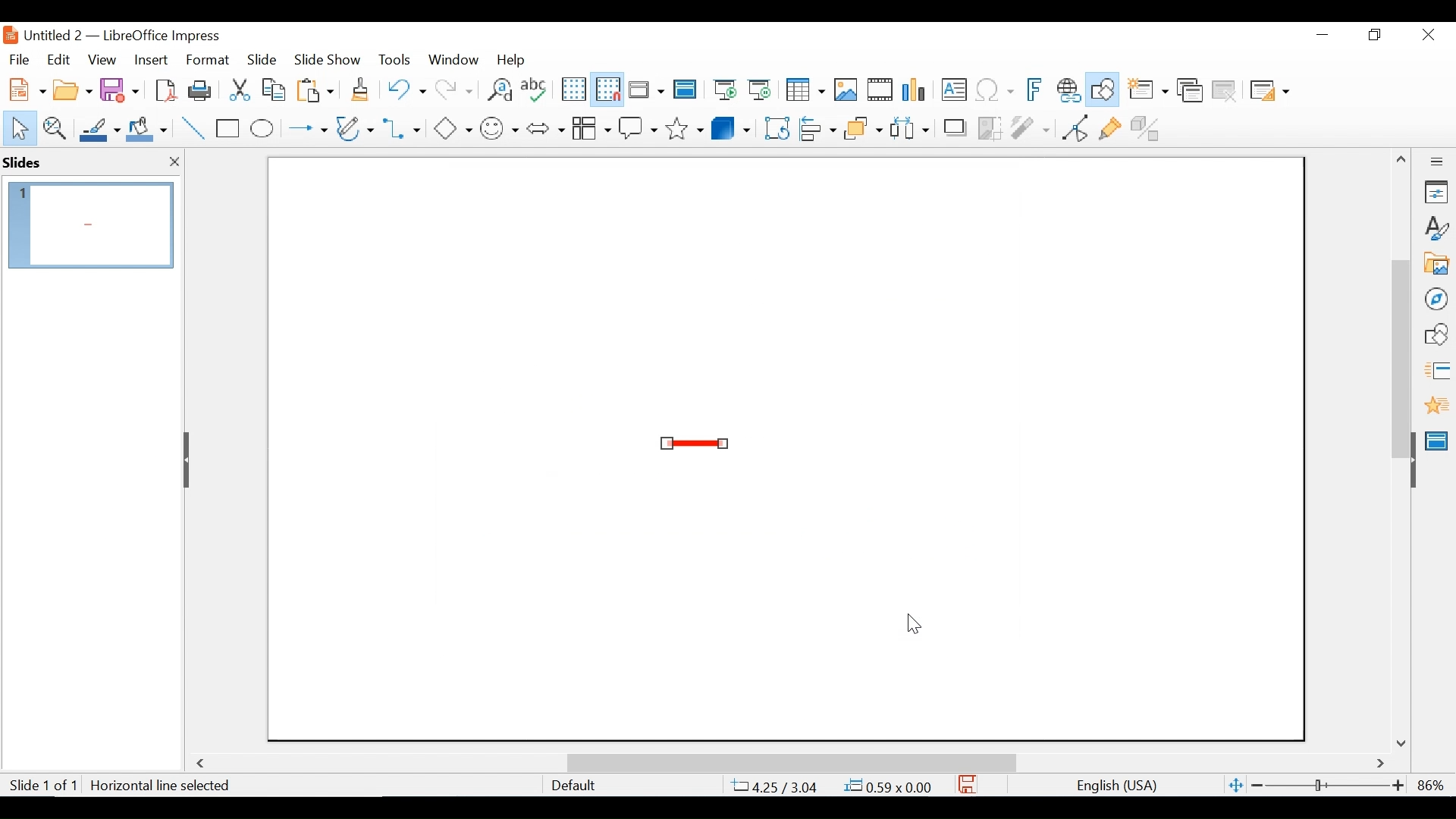 Image resolution: width=1456 pixels, height=819 pixels. Describe the element at coordinates (1072, 127) in the screenshot. I see `Toggle point Endpoint` at that location.